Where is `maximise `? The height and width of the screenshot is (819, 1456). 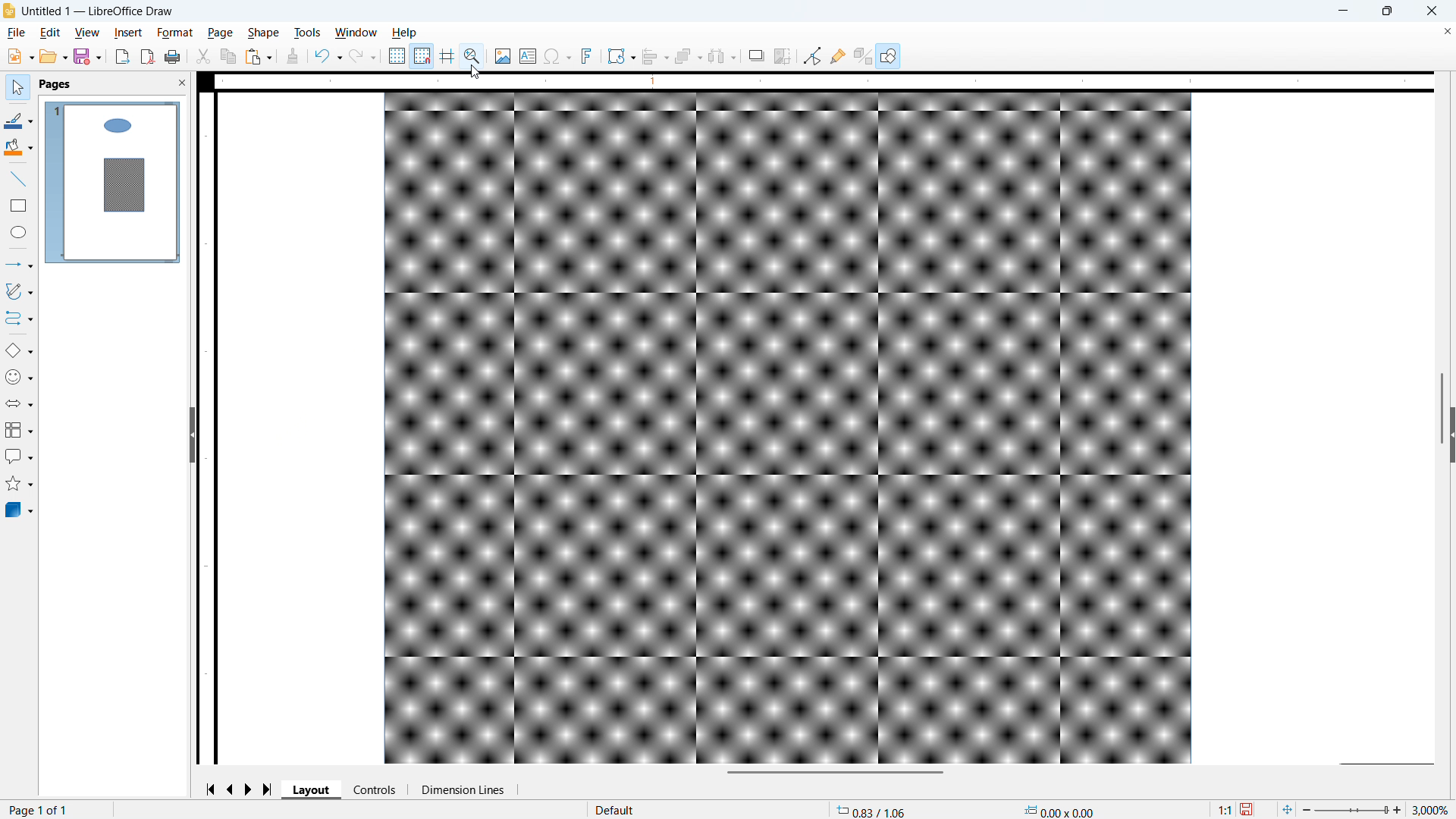 maximise  is located at coordinates (1386, 11).